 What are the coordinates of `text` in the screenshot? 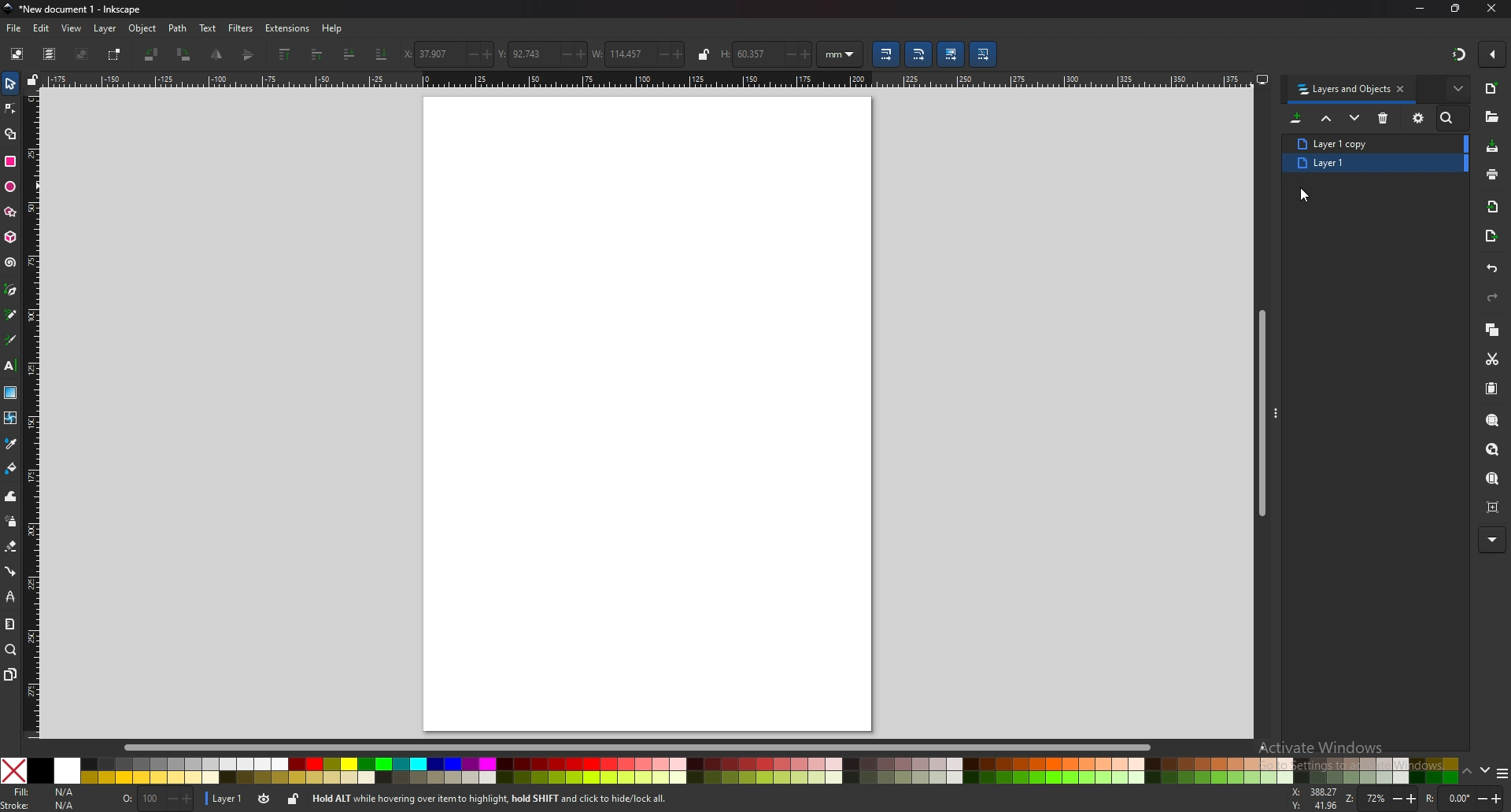 It's located at (209, 28).